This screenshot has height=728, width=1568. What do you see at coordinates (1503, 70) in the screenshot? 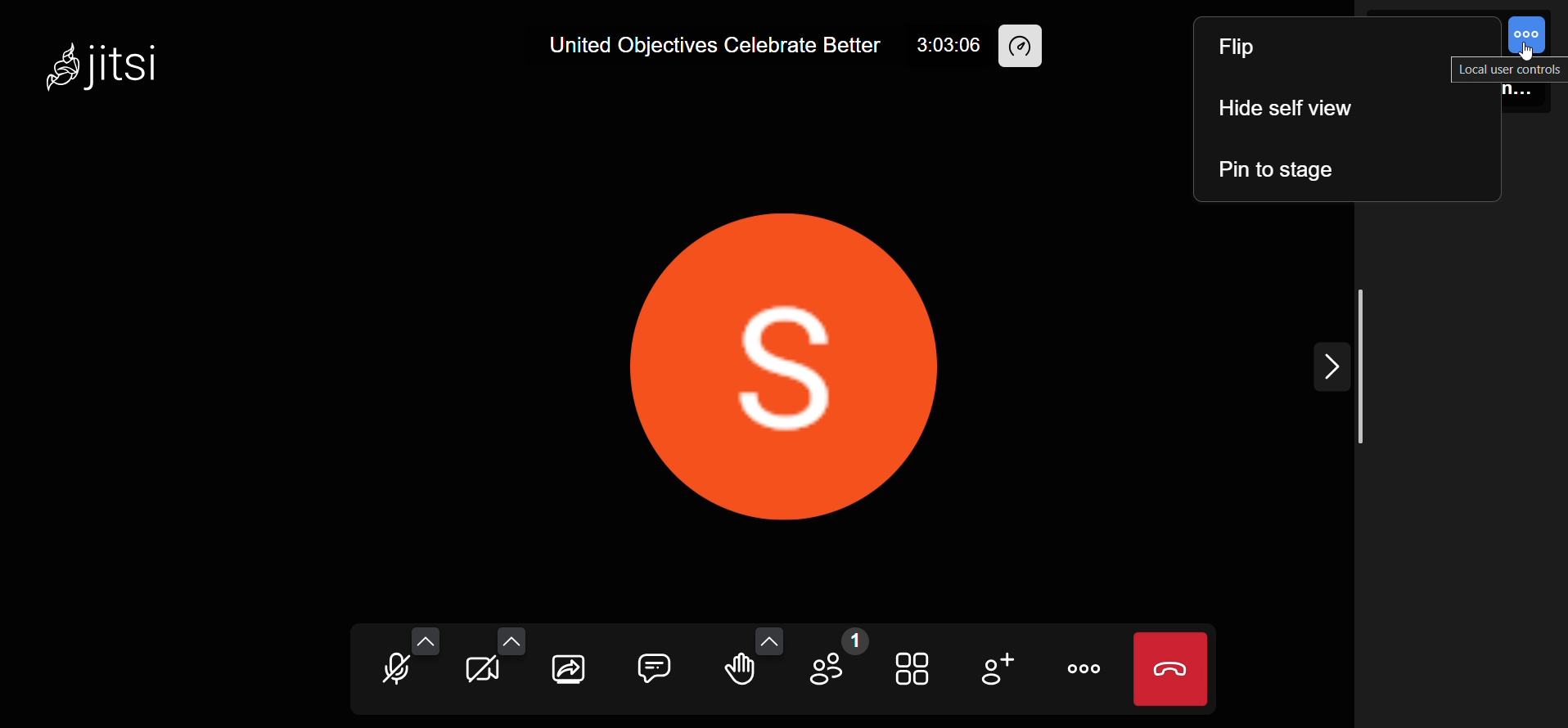
I see `local user control` at bounding box center [1503, 70].